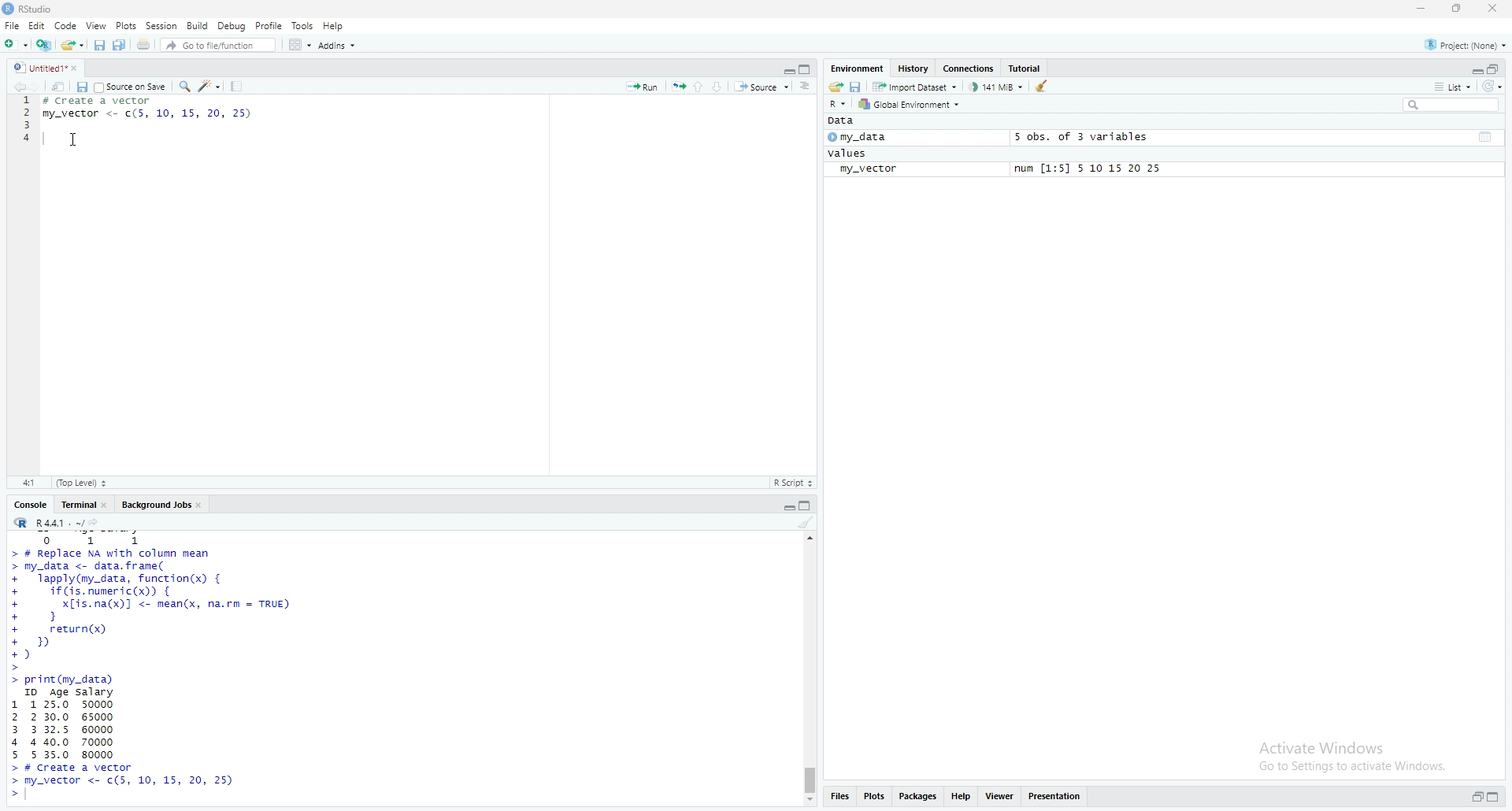 The image size is (1512, 811). I want to click on activate windows go to settings to activate windows, so click(1340, 752).